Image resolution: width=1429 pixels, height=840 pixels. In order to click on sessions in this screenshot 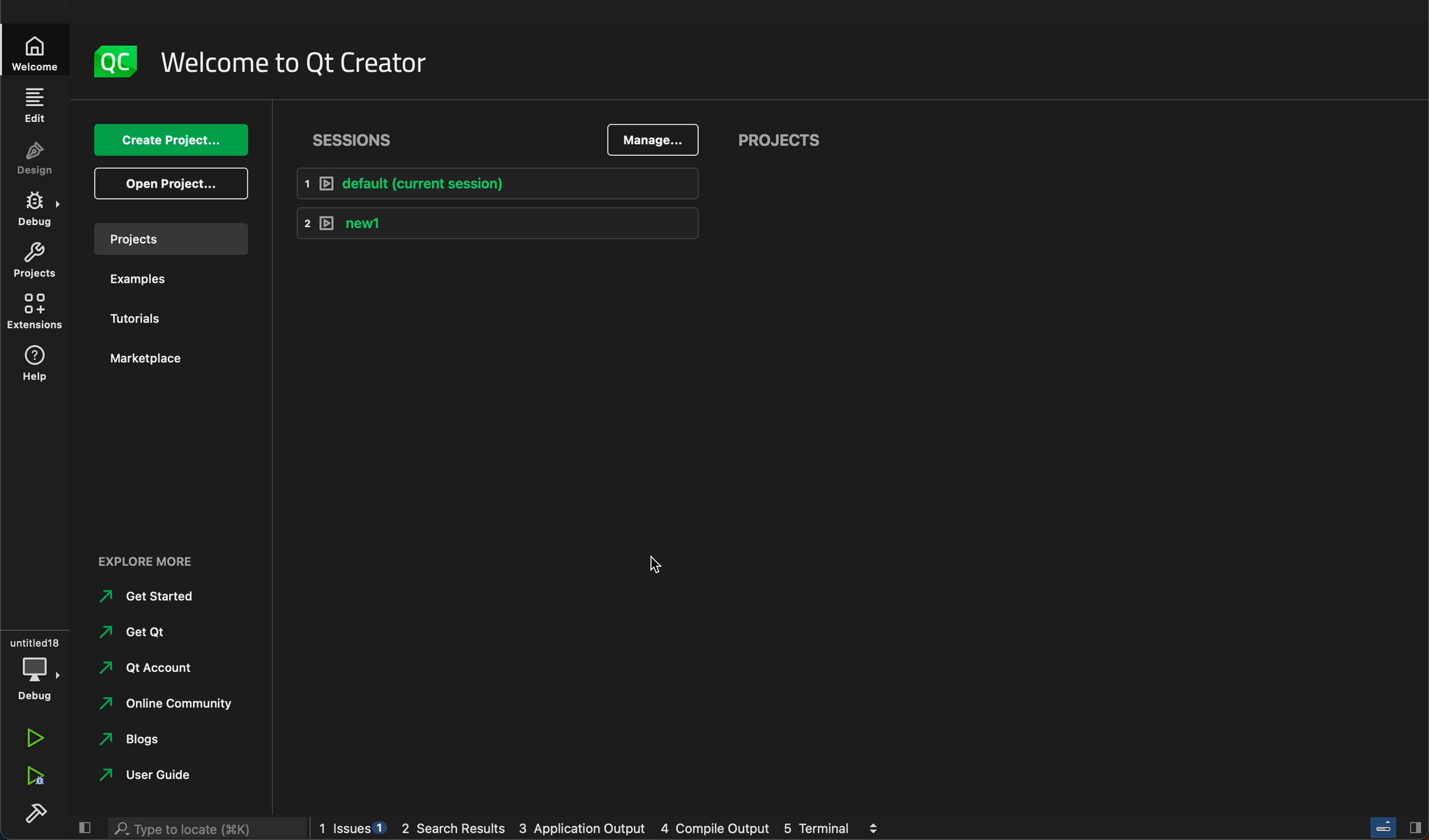, I will do `click(360, 139)`.